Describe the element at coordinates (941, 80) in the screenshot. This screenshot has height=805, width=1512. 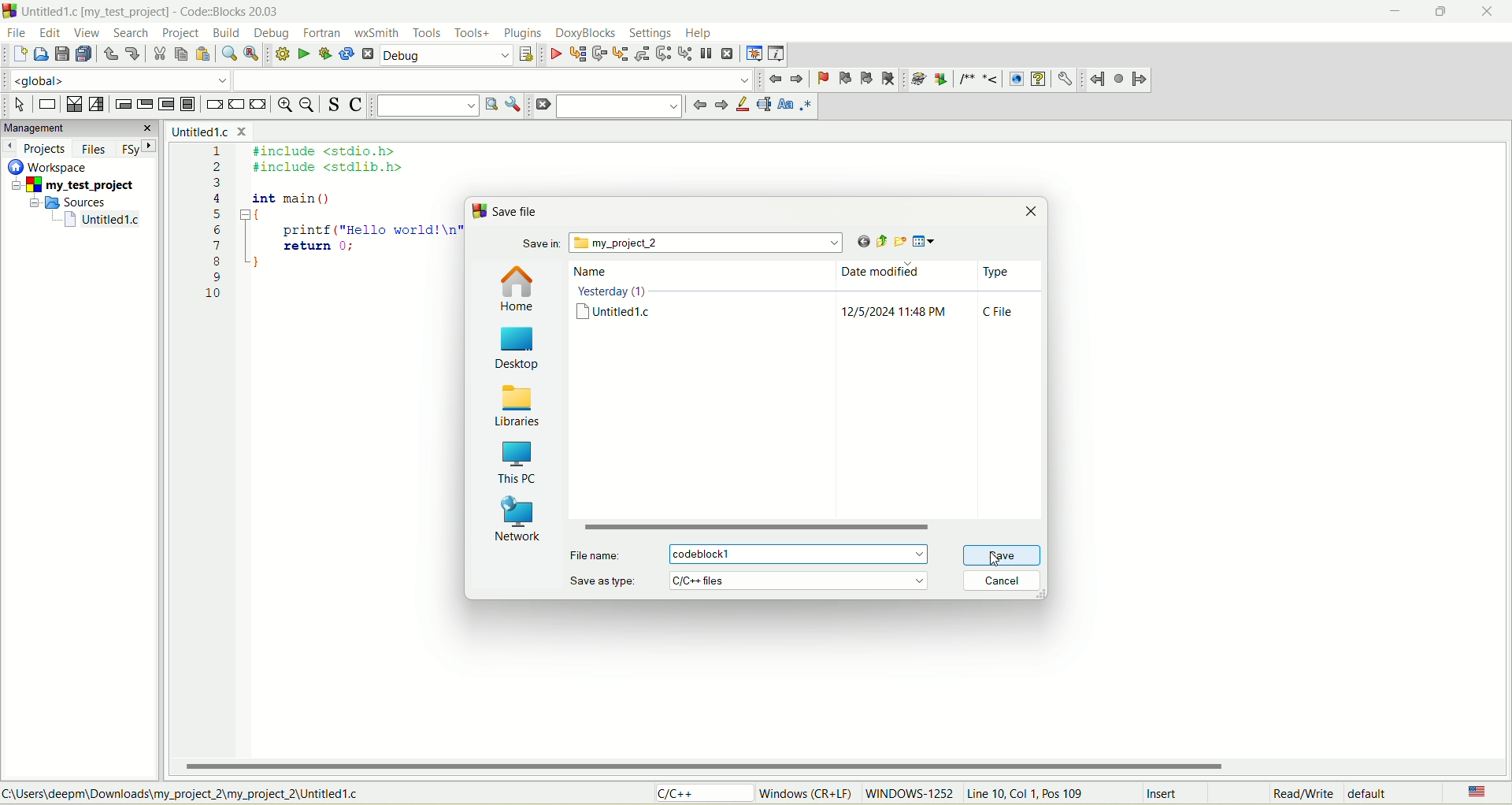
I see `extract documentation` at that location.